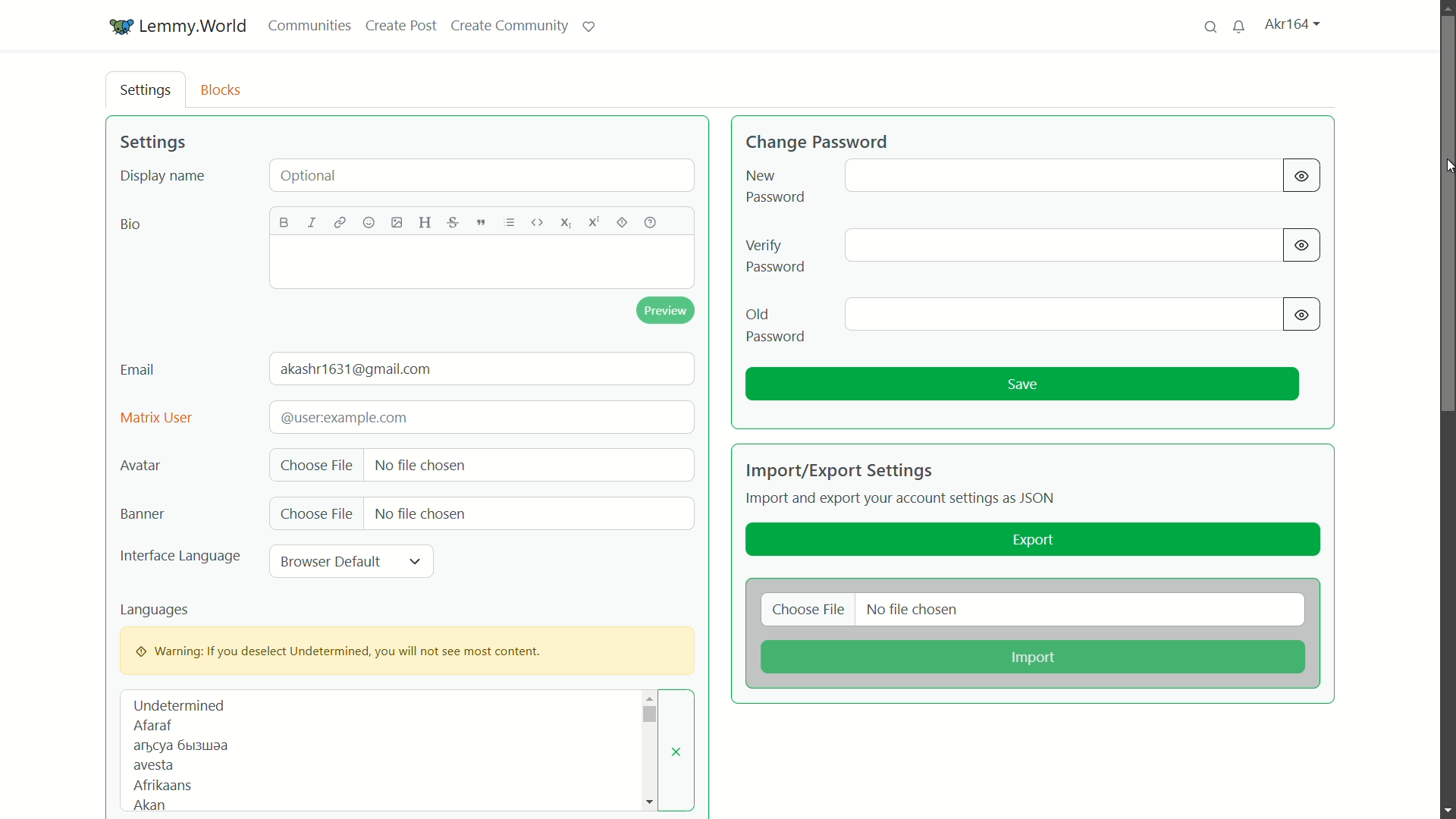 The height and width of the screenshot is (819, 1456). I want to click on username, so click(1291, 24).